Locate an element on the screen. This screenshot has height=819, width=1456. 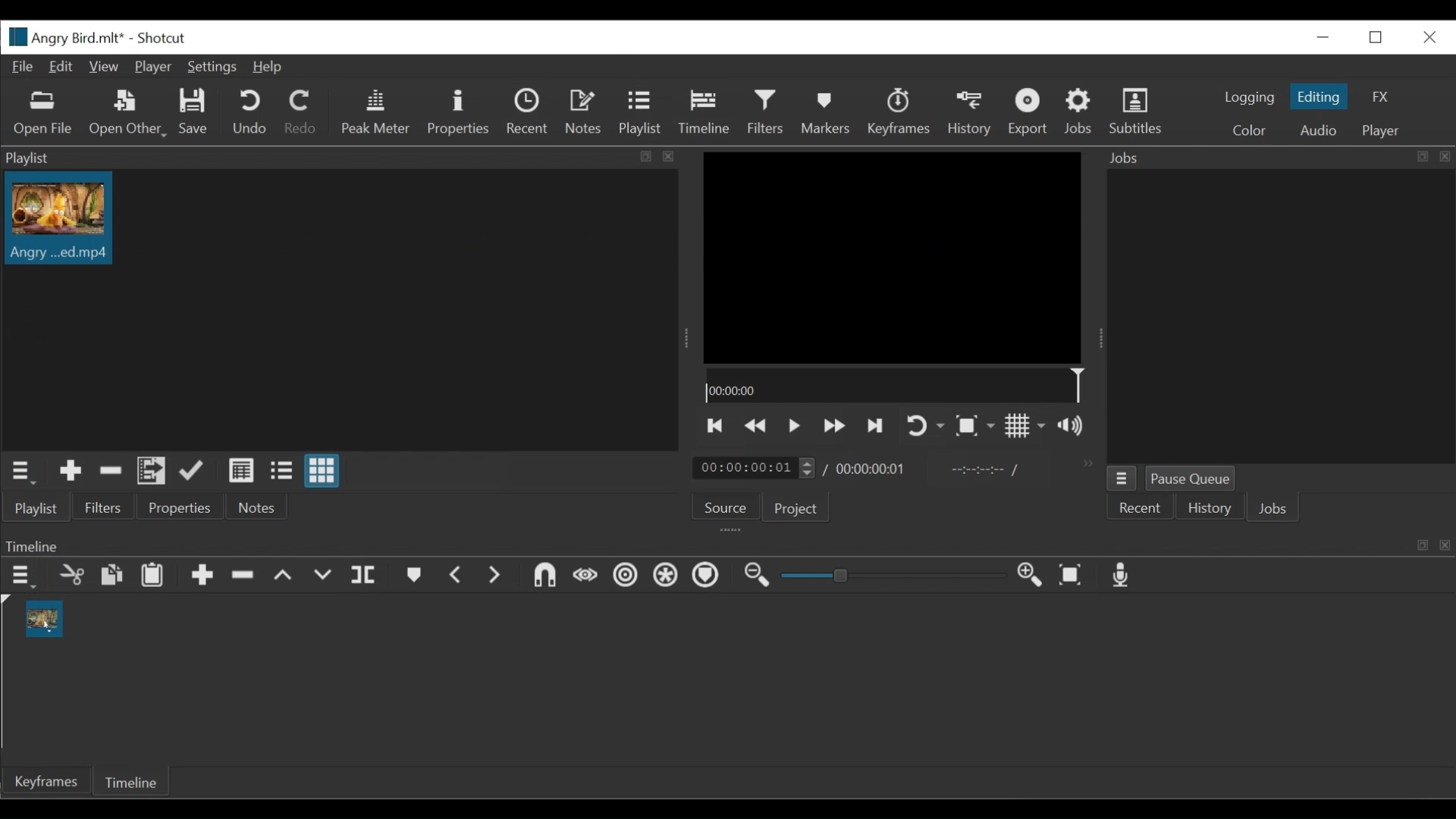
Edit is located at coordinates (63, 67).